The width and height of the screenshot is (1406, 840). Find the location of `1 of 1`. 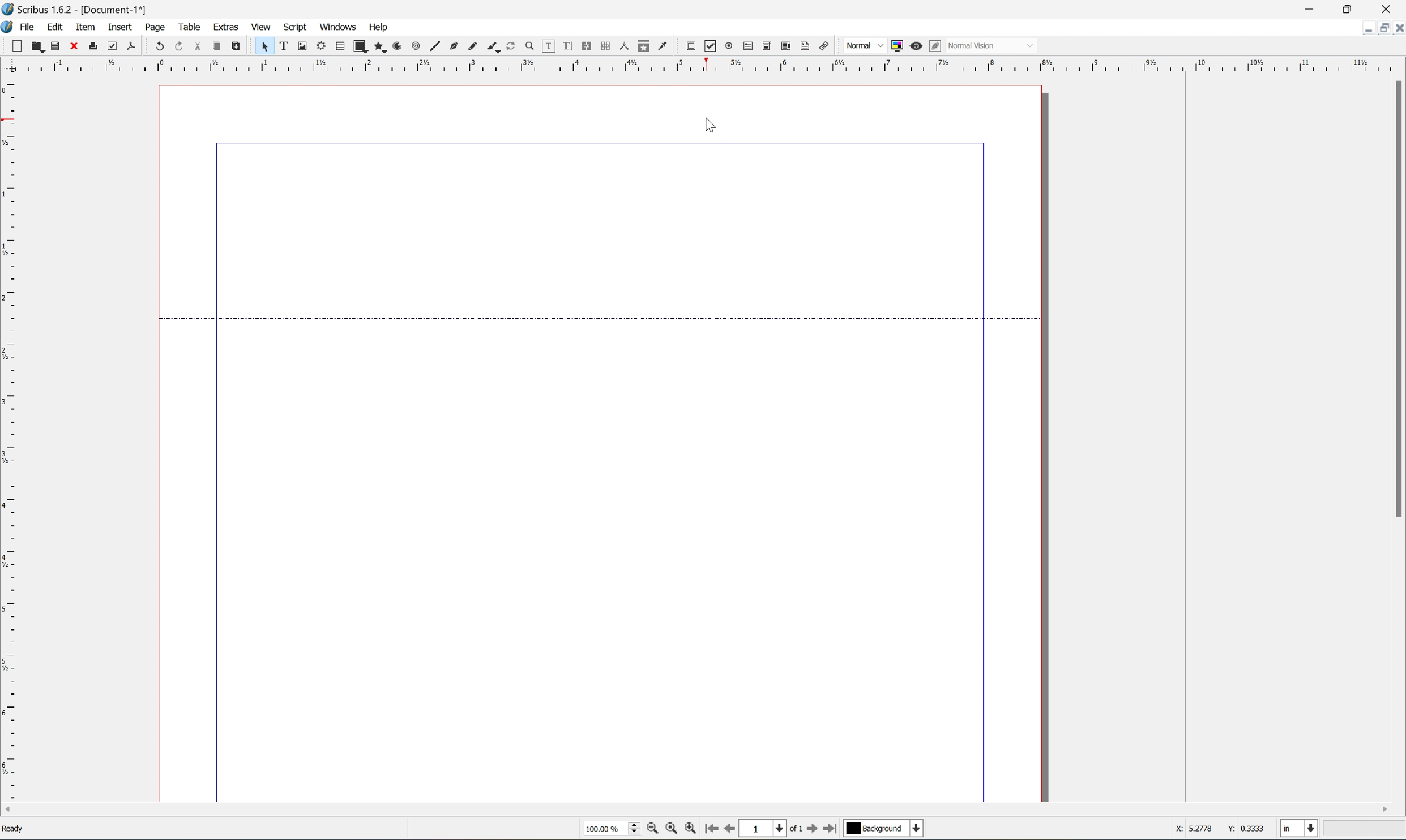

1 of 1 is located at coordinates (771, 829).